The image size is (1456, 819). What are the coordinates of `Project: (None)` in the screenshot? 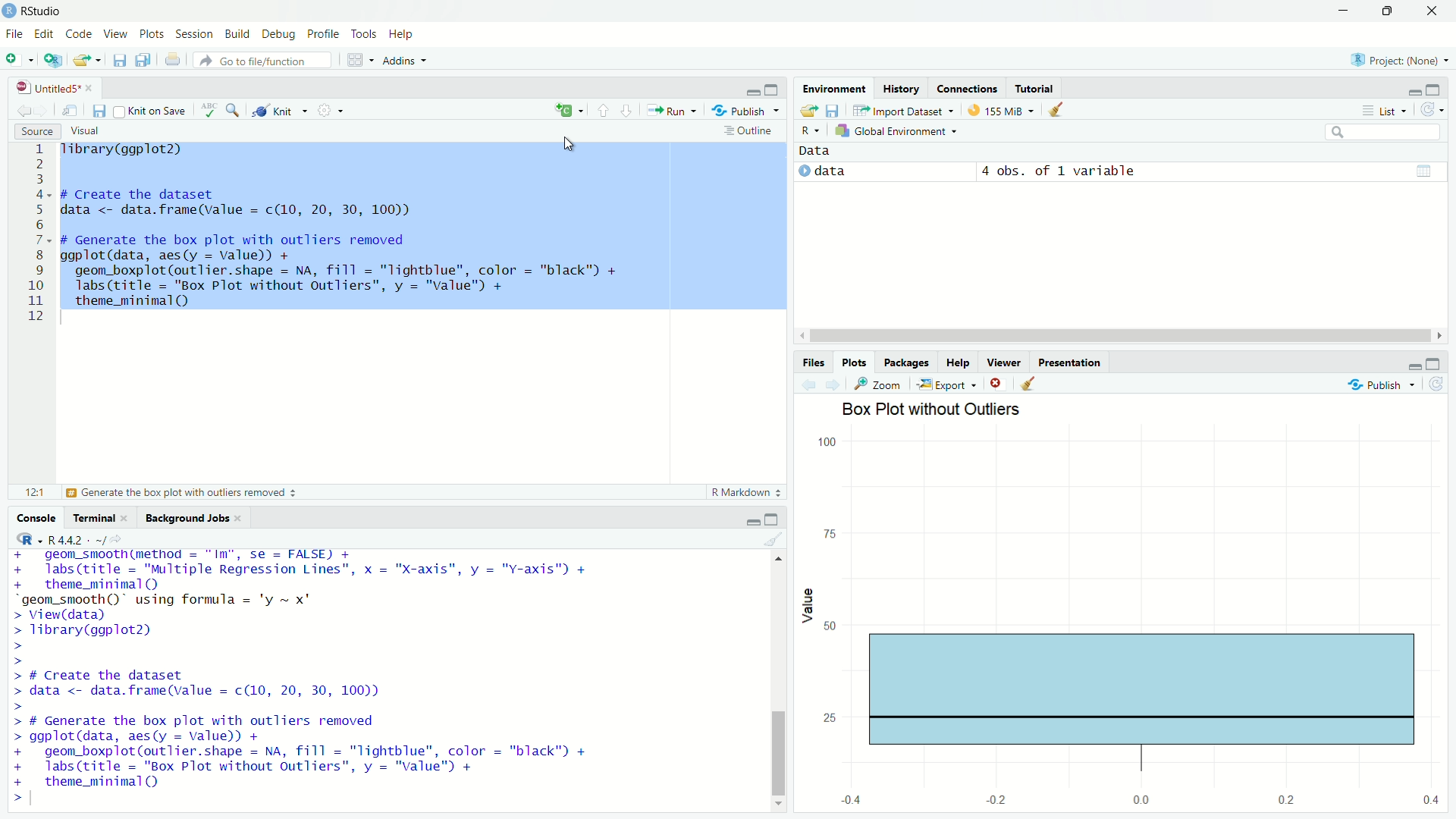 It's located at (1401, 61).